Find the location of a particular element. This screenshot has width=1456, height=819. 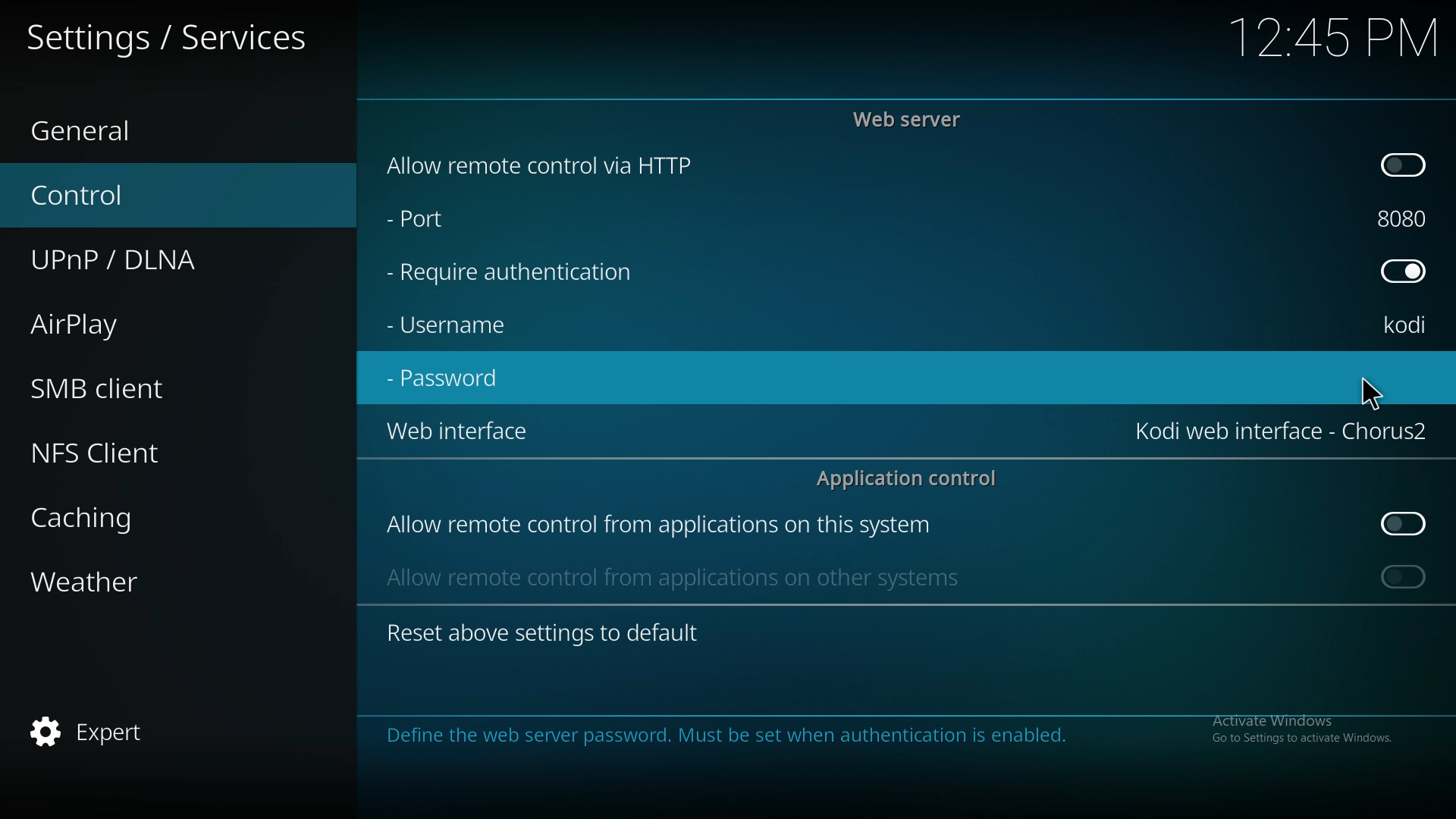

airplay is located at coordinates (130, 322).